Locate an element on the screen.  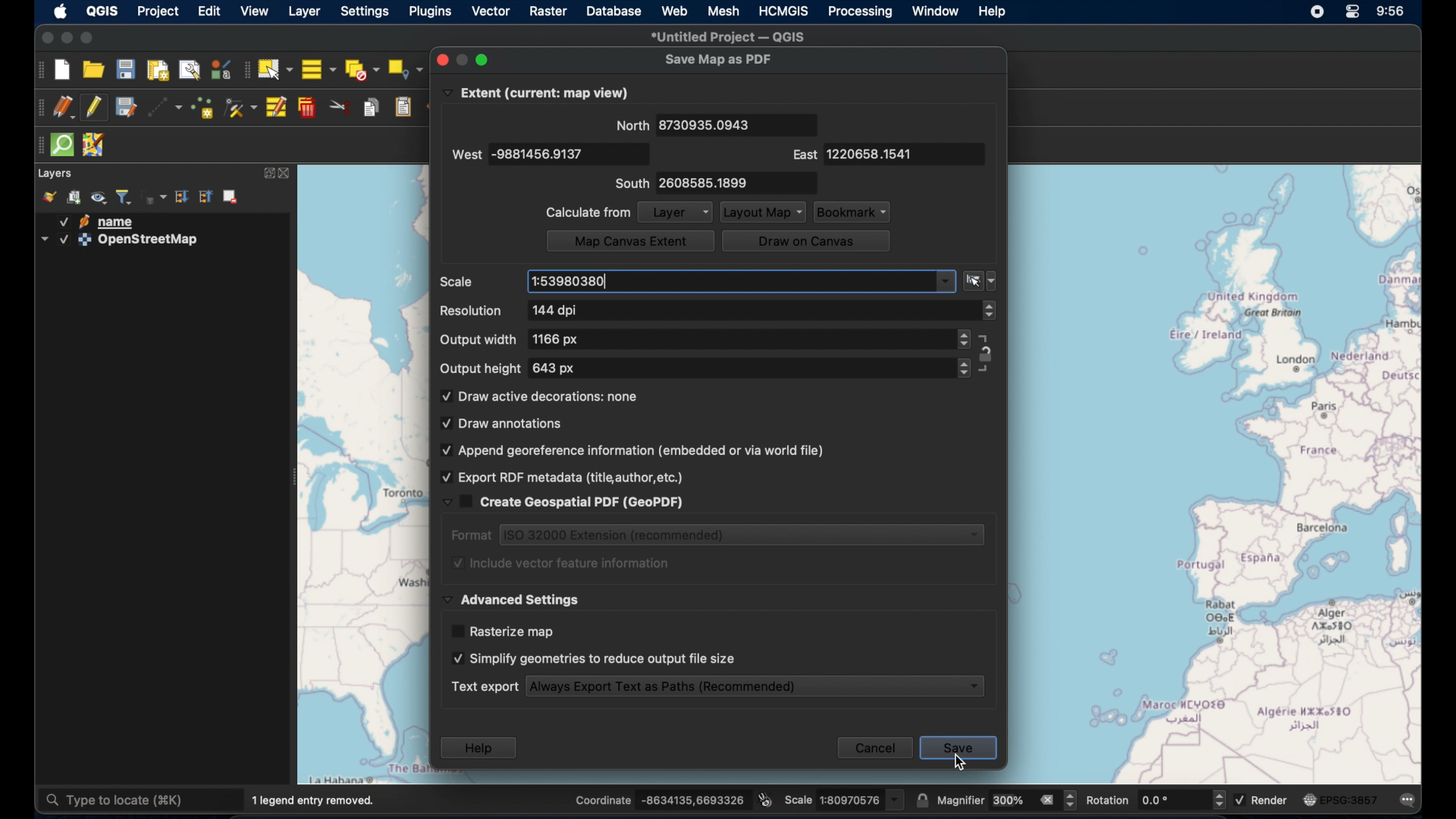
toggle editing is located at coordinates (93, 108).